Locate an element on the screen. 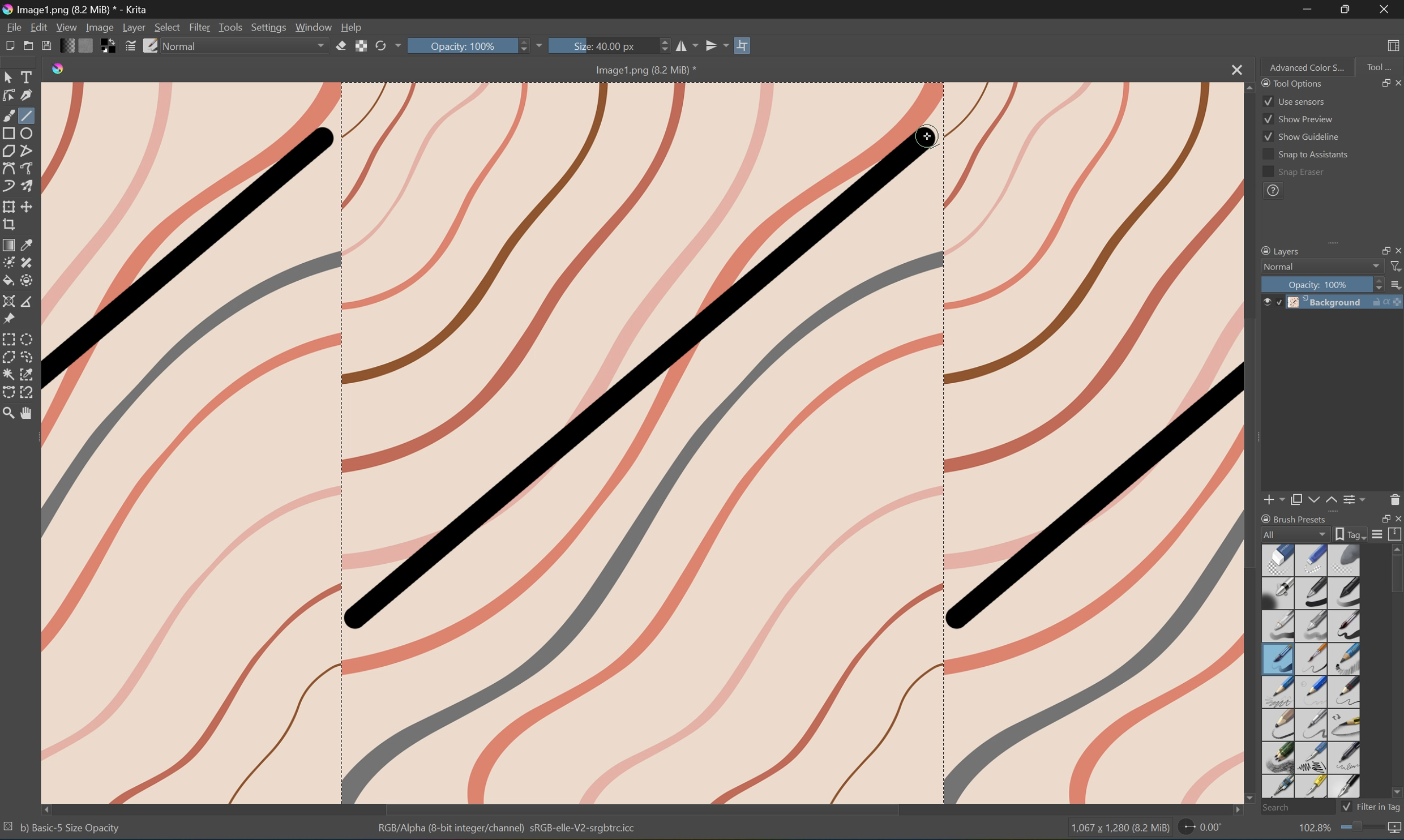  Polygon tool is located at coordinates (11, 151).